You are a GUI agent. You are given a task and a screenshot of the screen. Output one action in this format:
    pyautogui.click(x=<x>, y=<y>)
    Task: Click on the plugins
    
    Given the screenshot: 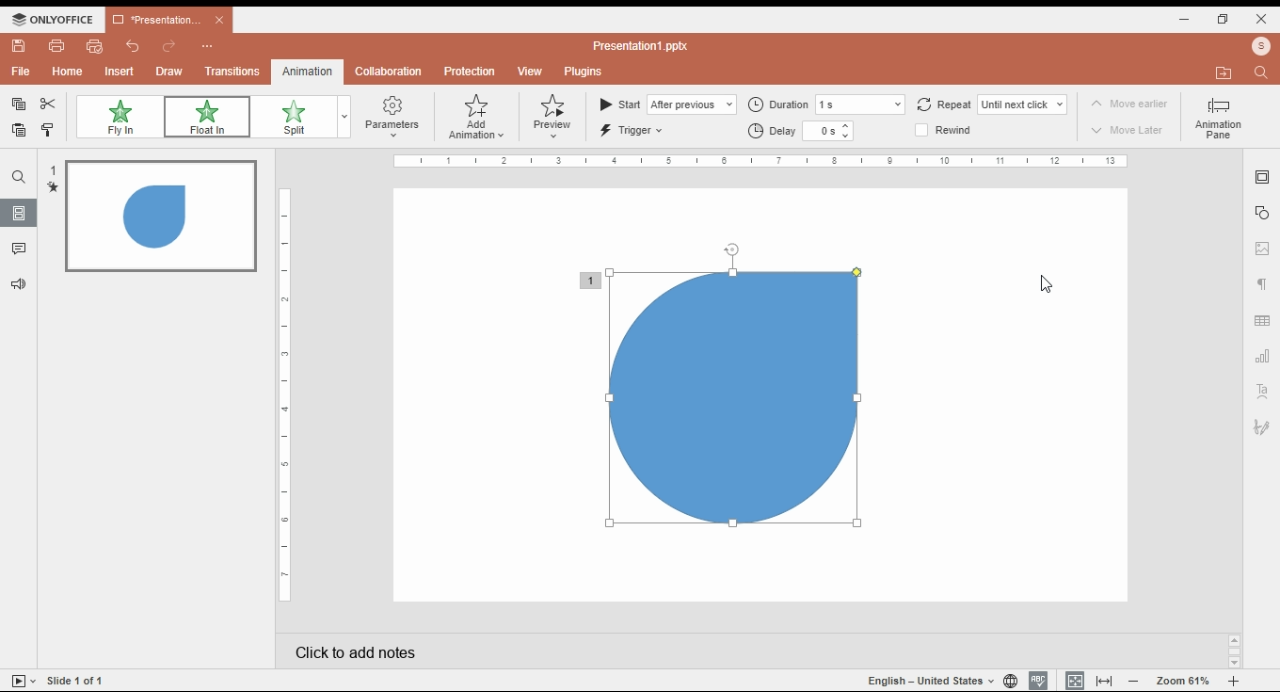 What is the action you would take?
    pyautogui.click(x=586, y=72)
    